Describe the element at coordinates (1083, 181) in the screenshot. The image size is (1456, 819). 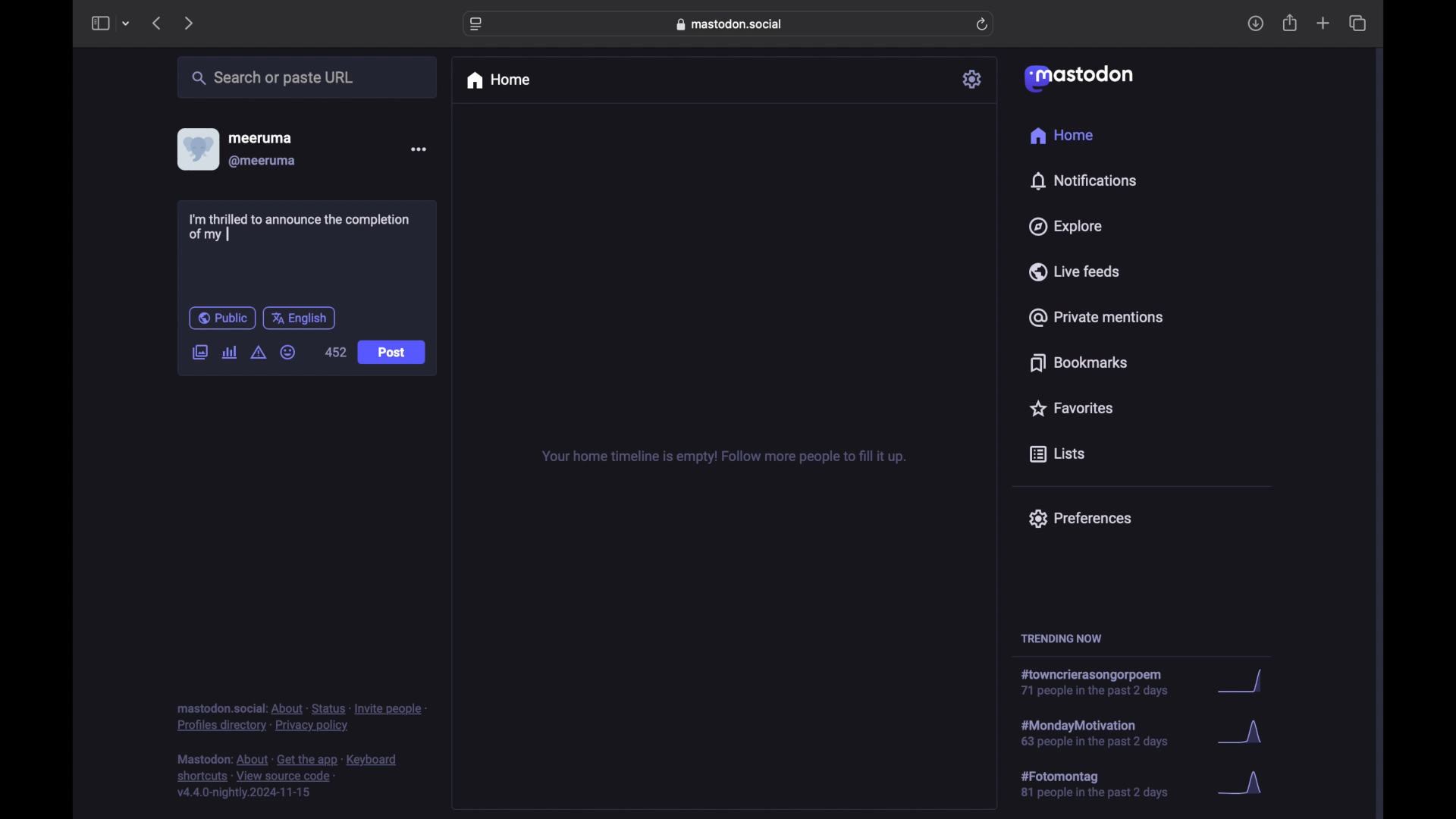
I see `notifications` at that location.